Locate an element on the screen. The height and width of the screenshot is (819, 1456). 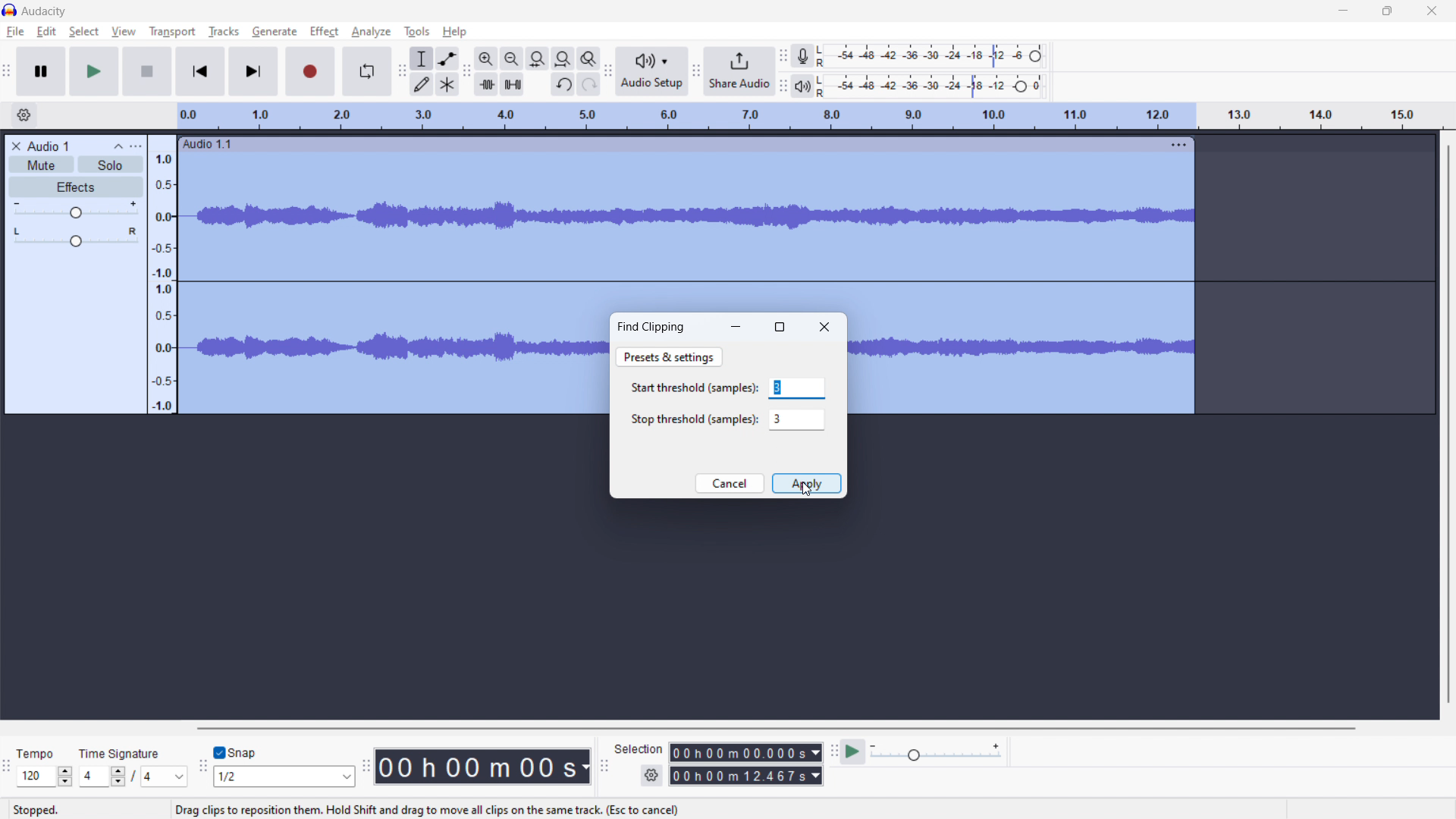
stop is located at coordinates (147, 71).